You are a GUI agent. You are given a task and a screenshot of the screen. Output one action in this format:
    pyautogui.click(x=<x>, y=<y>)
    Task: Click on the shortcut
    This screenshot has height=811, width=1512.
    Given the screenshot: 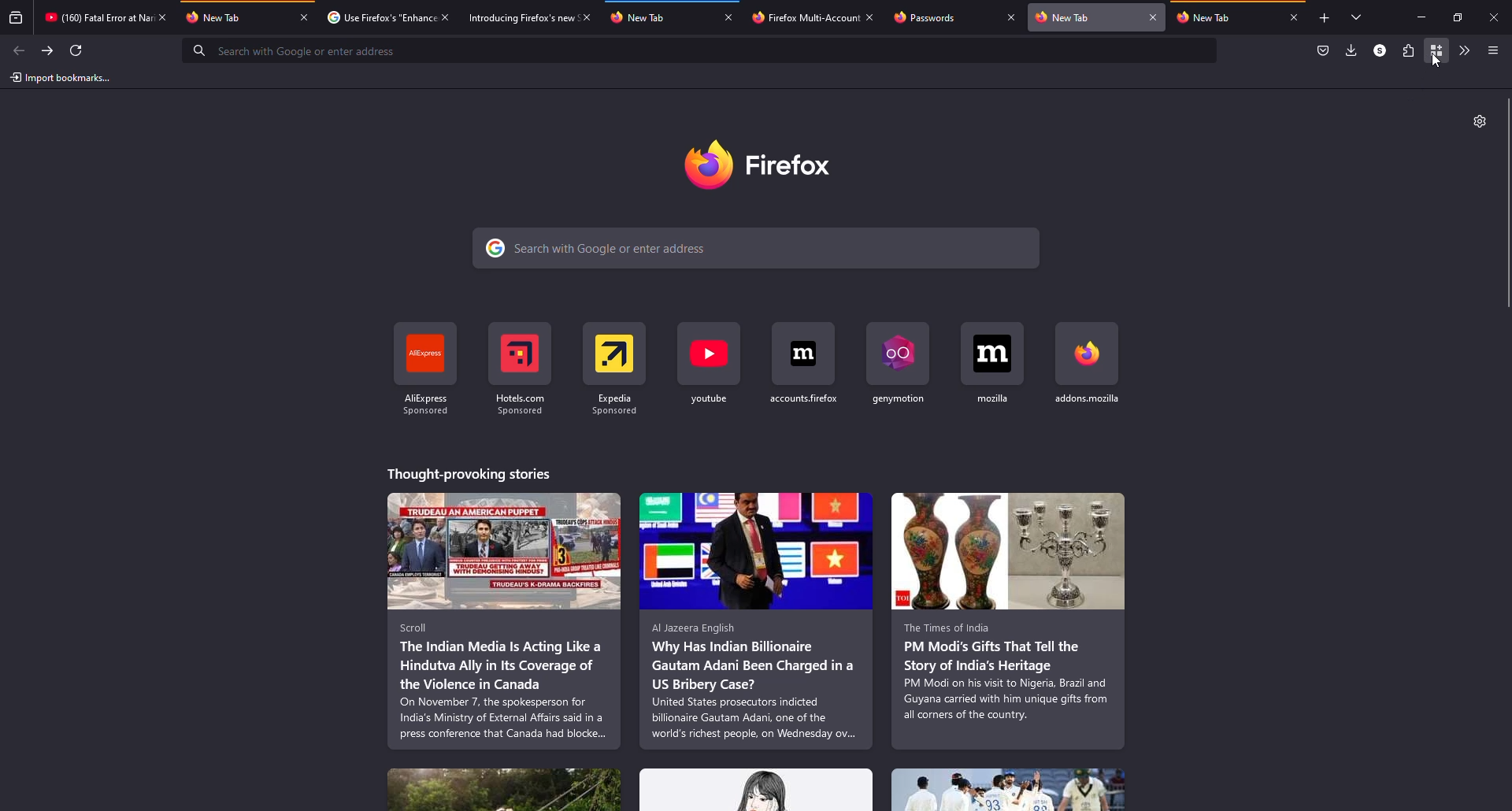 What is the action you would take?
    pyautogui.click(x=806, y=363)
    